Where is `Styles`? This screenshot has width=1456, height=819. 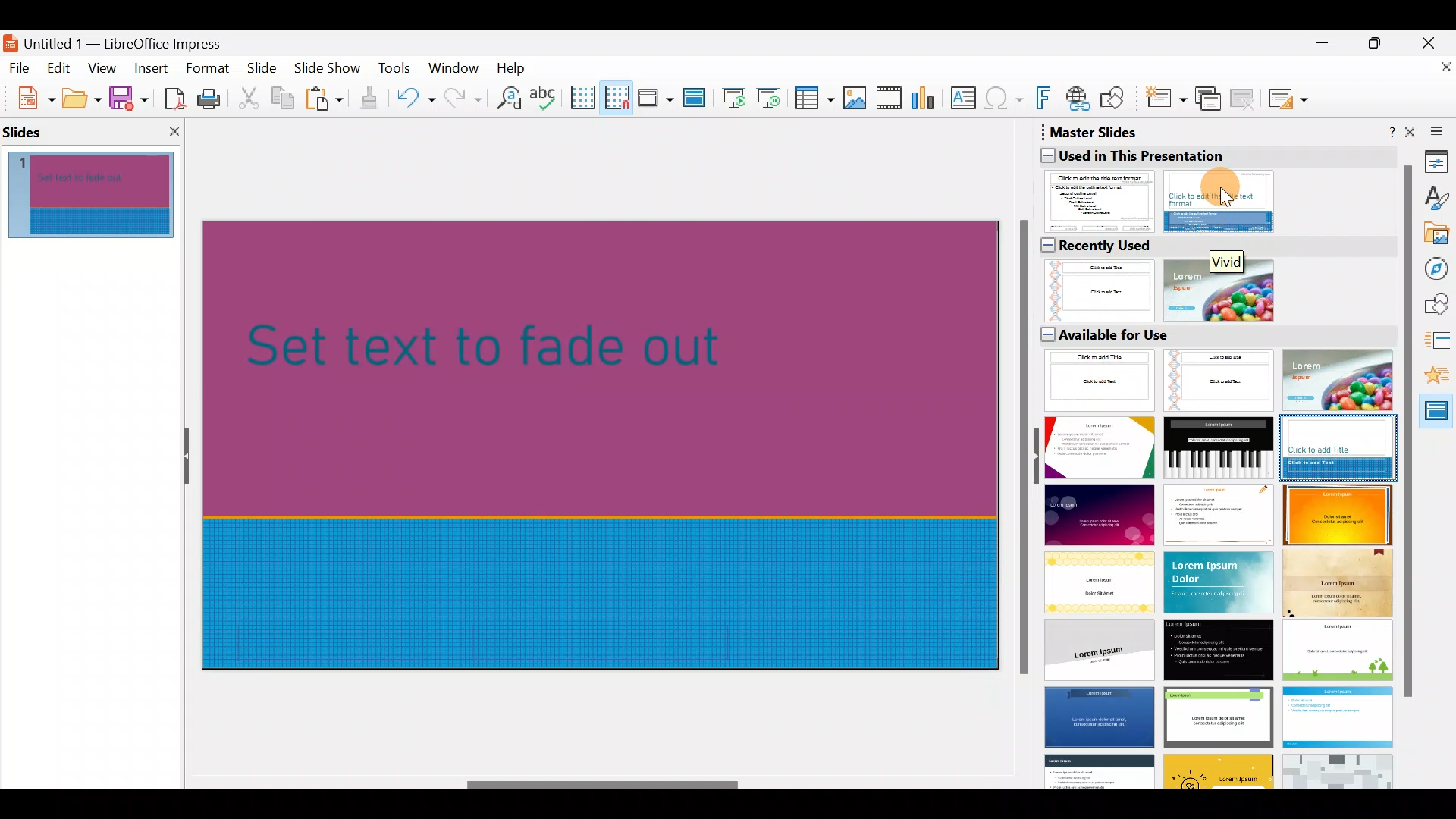 Styles is located at coordinates (1437, 200).